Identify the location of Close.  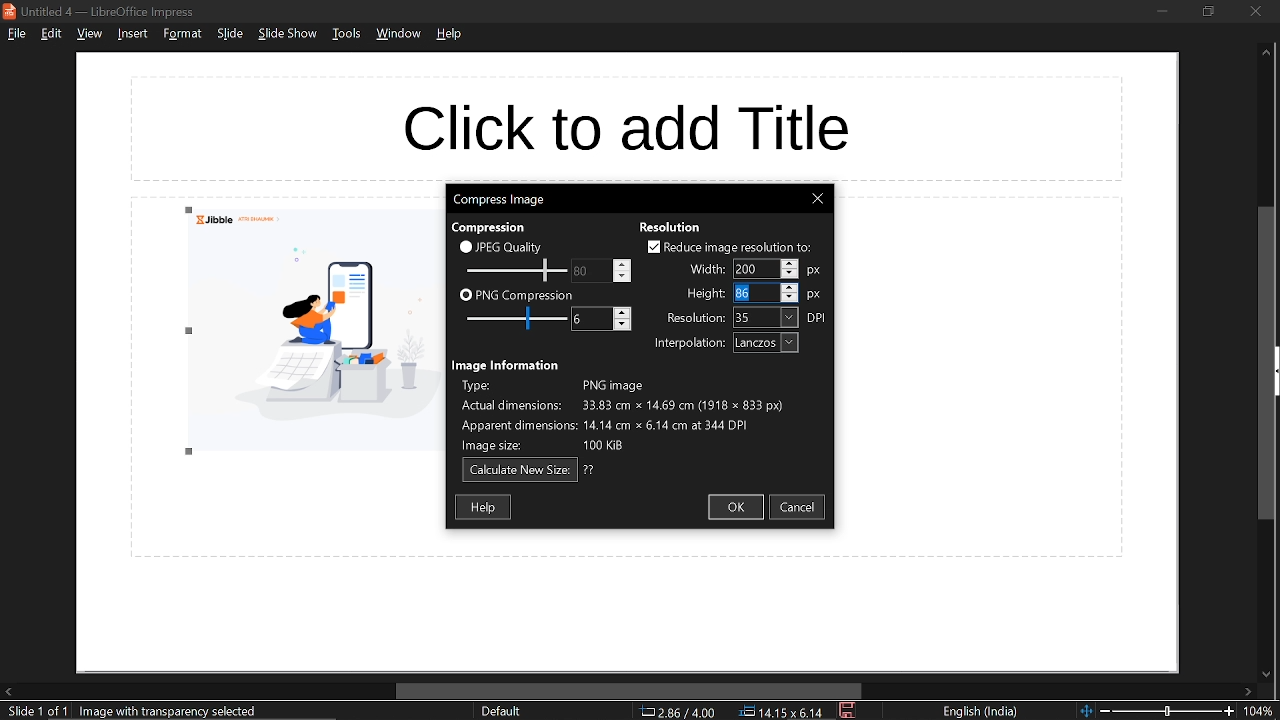
(817, 199).